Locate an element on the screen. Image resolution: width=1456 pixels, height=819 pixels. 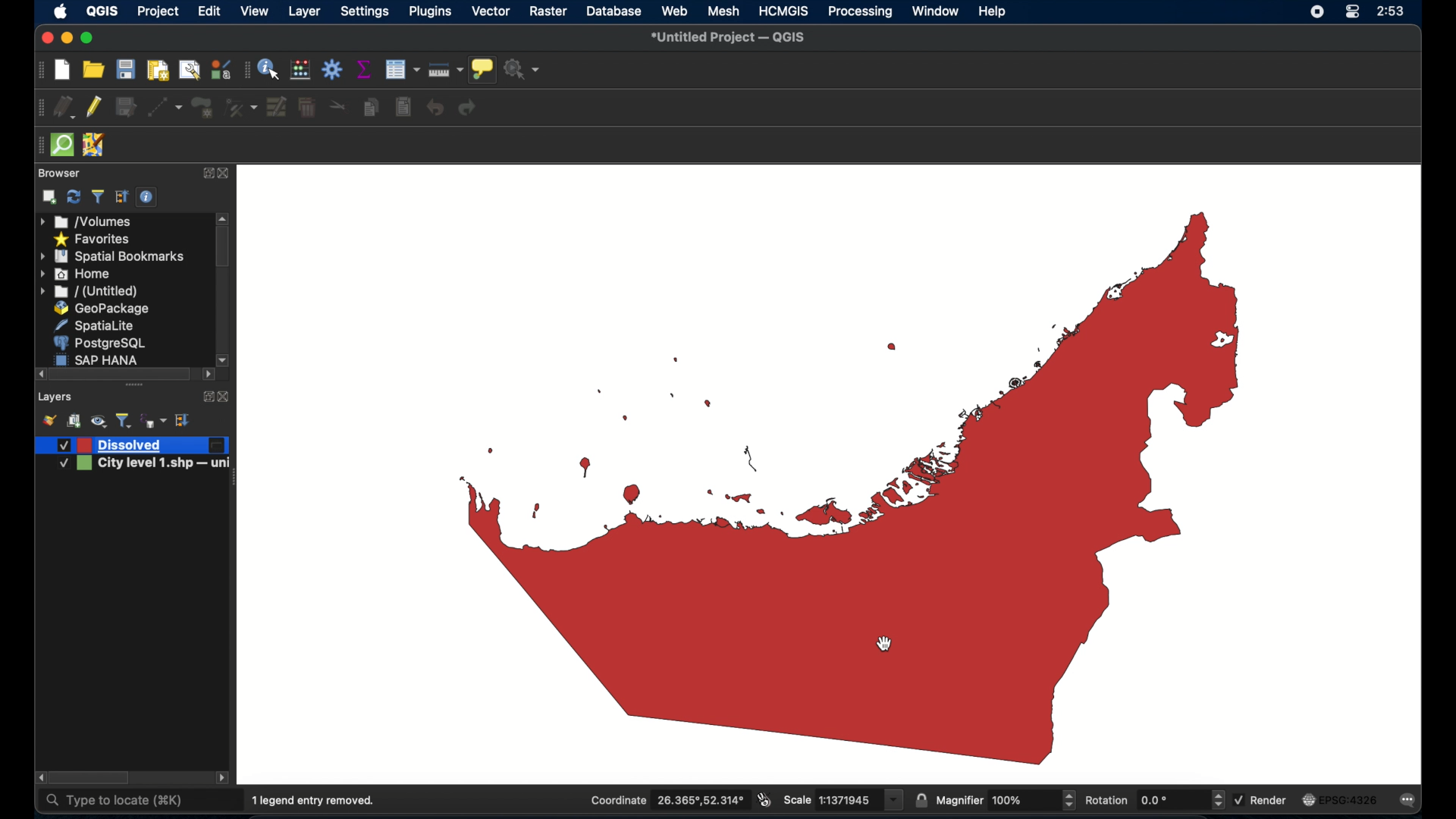
drag handle is located at coordinates (237, 476).